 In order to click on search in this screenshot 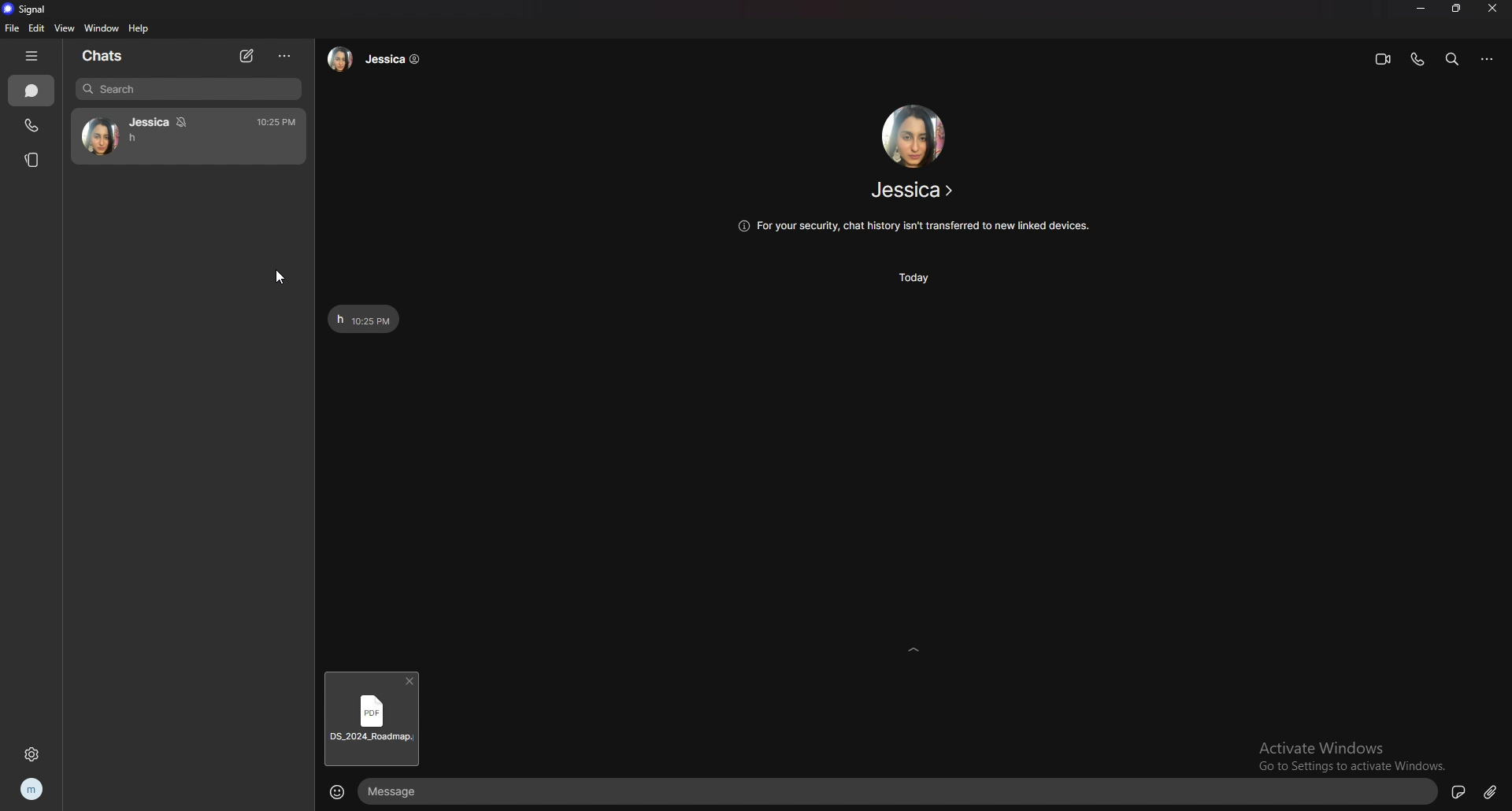, I will do `click(188, 89)`.